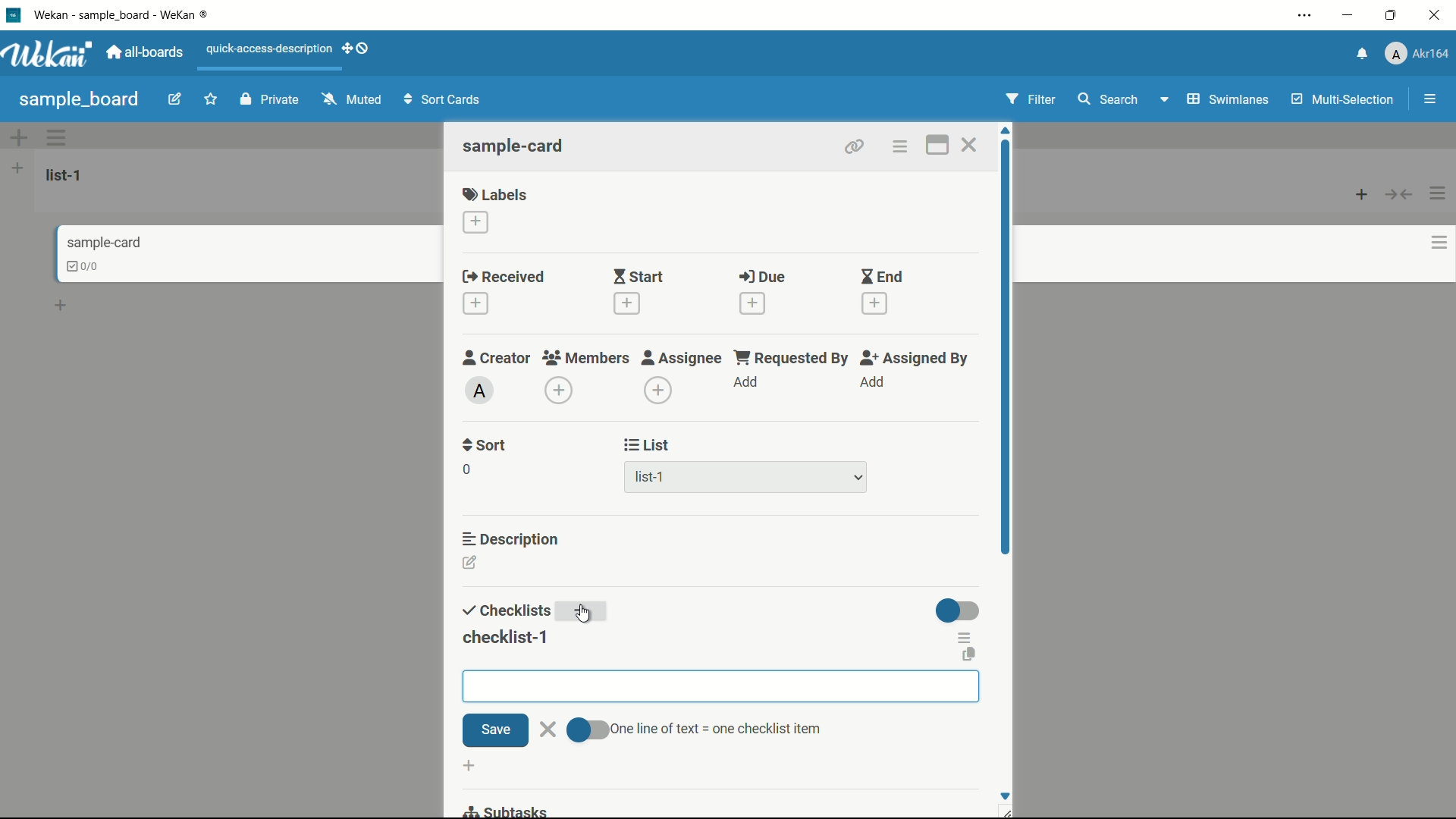  I want to click on add, so click(871, 382).